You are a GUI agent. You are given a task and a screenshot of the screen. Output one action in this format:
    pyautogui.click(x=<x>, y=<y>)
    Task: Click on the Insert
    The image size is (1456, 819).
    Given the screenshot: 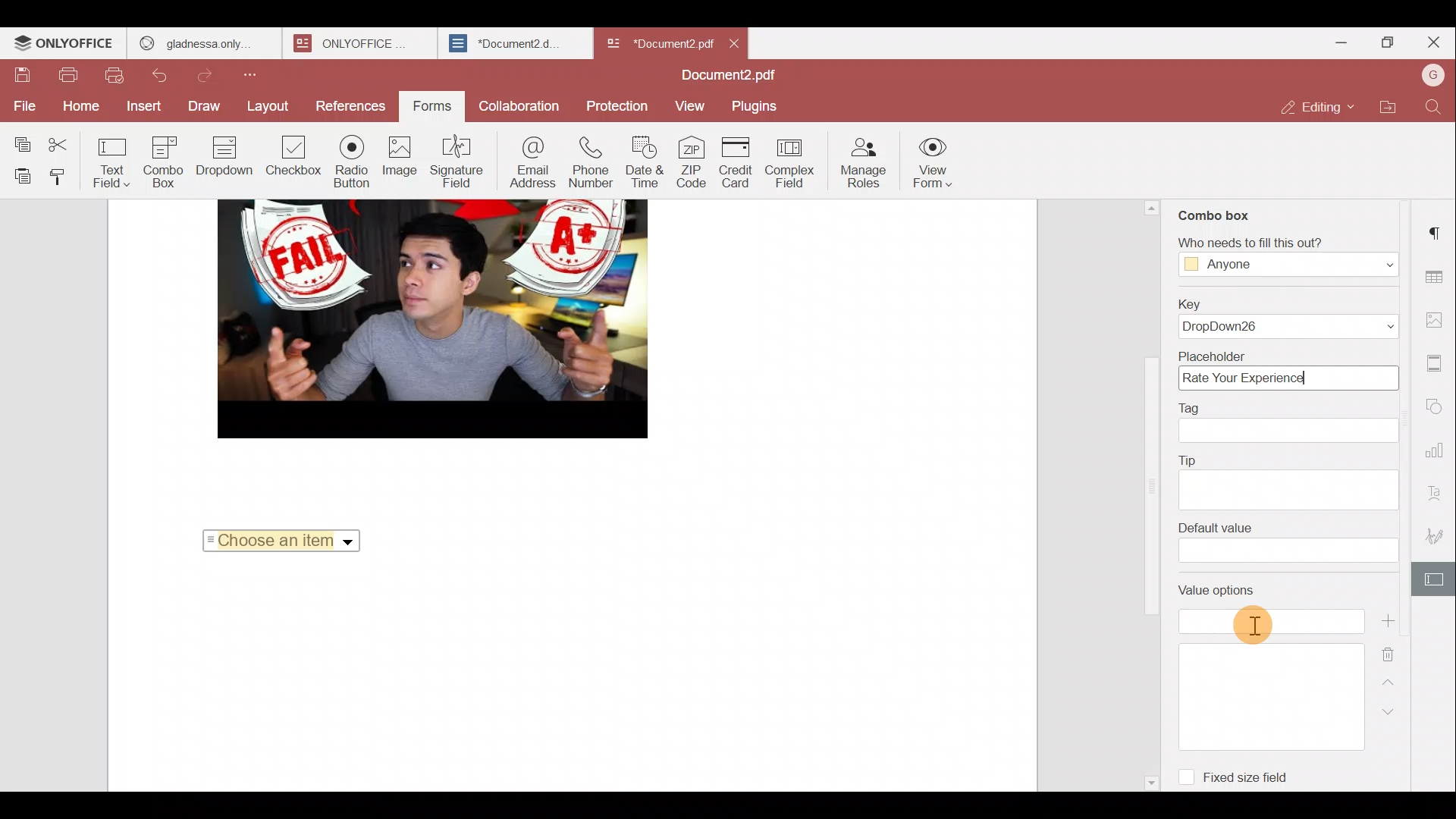 What is the action you would take?
    pyautogui.click(x=140, y=106)
    